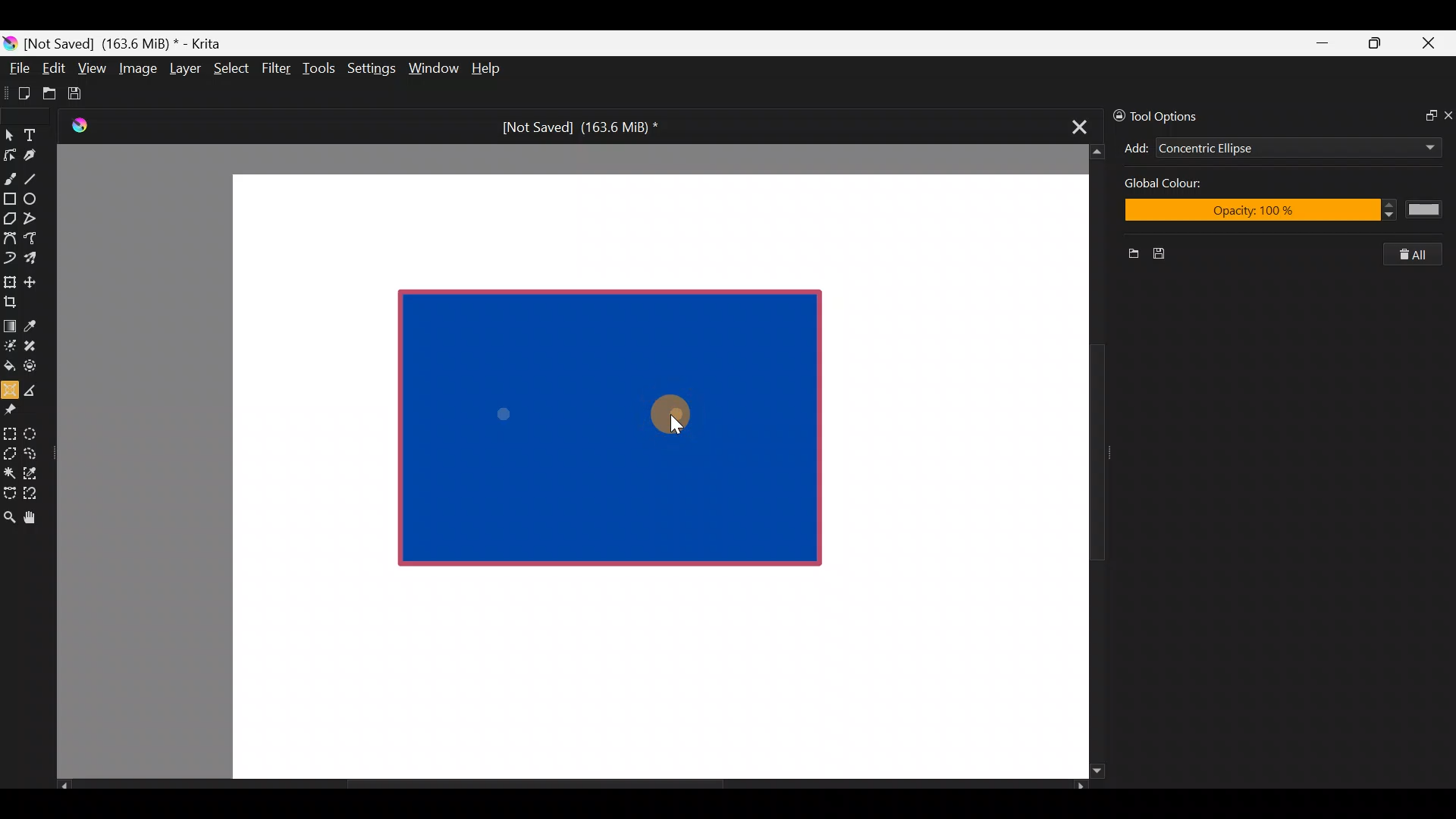 The height and width of the screenshot is (819, 1456). Describe the element at coordinates (1086, 462) in the screenshot. I see `Scroll bar` at that location.